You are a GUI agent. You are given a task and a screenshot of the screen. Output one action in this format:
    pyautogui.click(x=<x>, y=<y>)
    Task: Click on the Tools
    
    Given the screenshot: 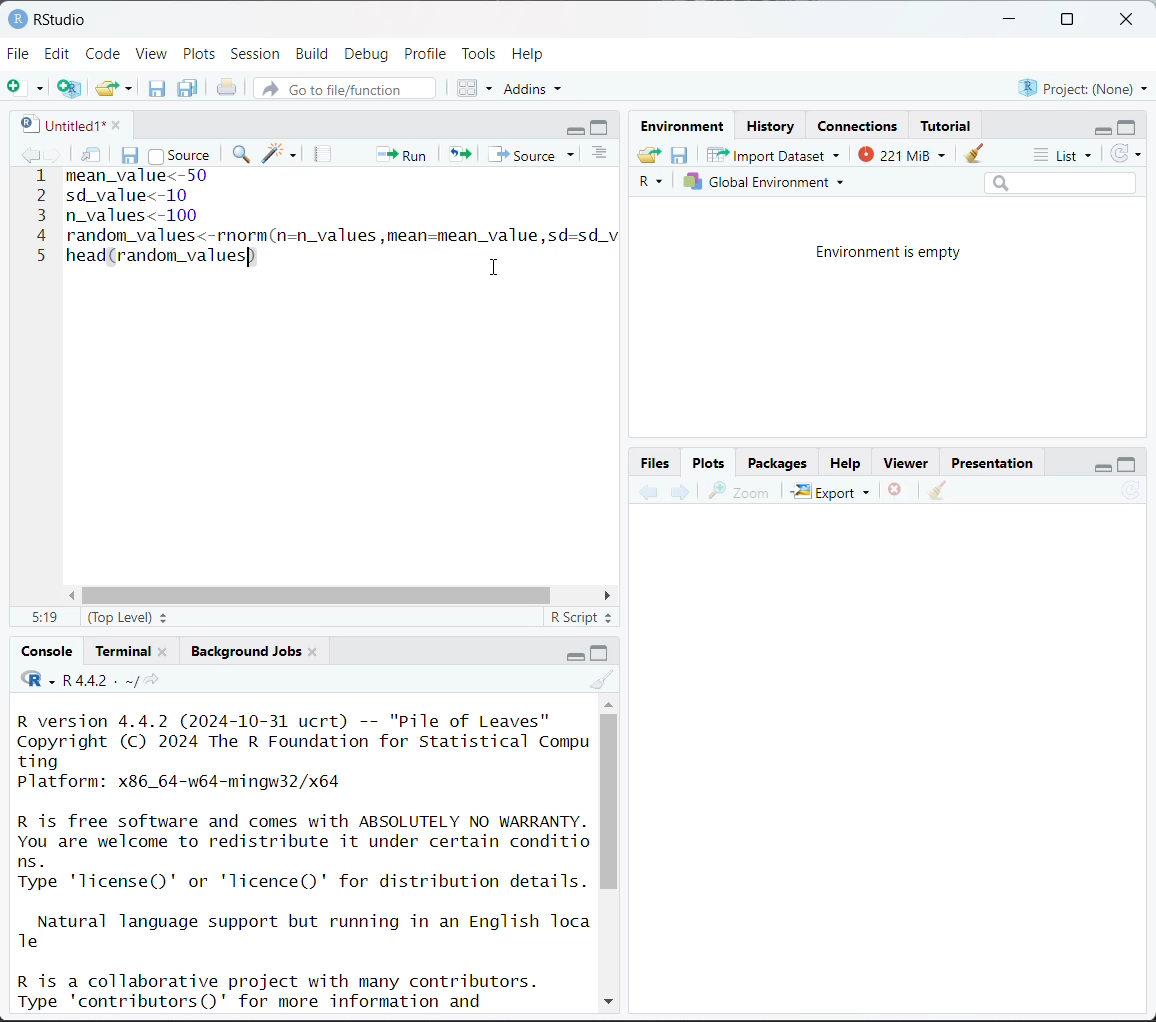 What is the action you would take?
    pyautogui.click(x=479, y=52)
    